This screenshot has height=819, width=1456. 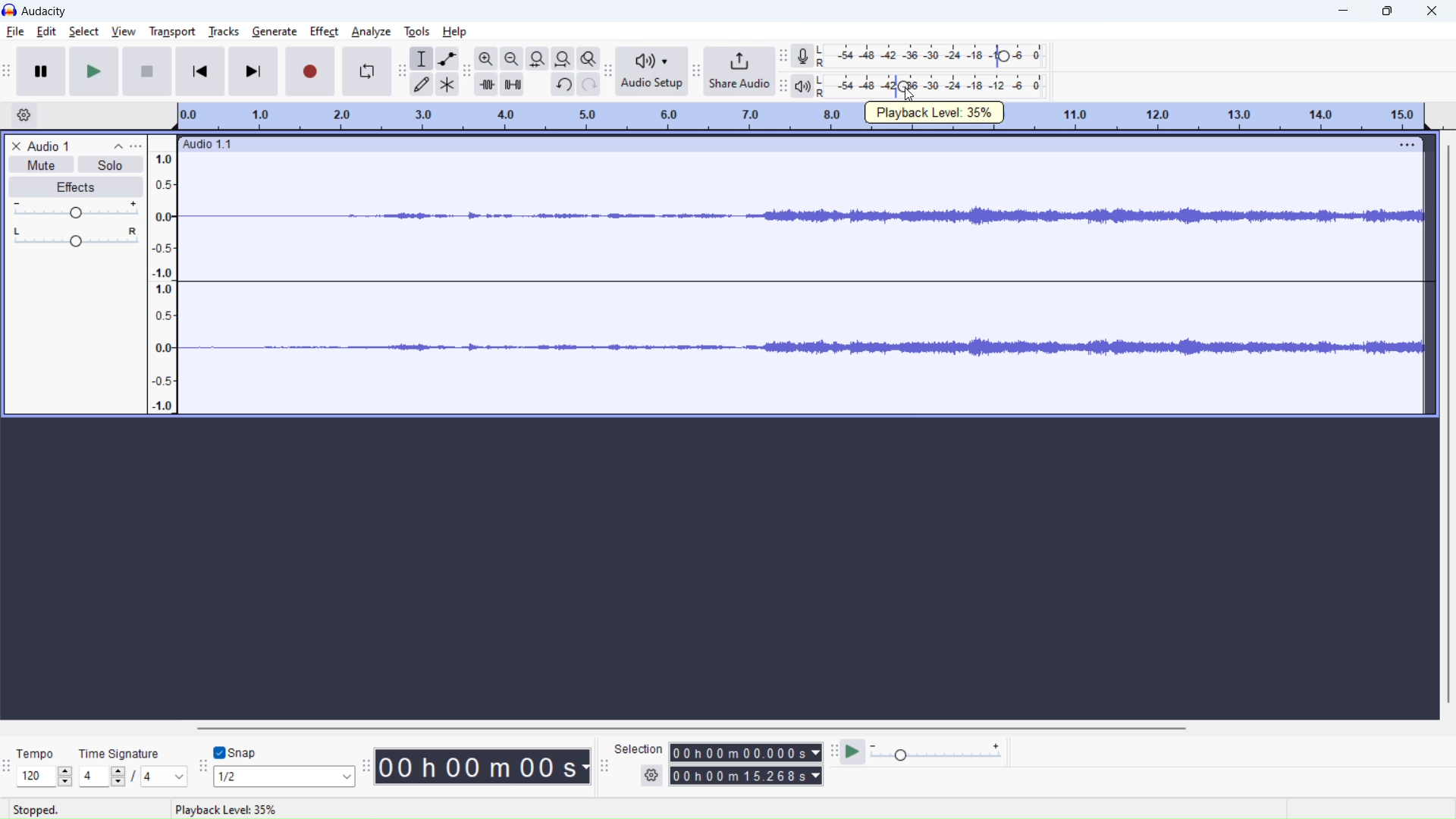 I want to click on status, so click(x=225, y=809).